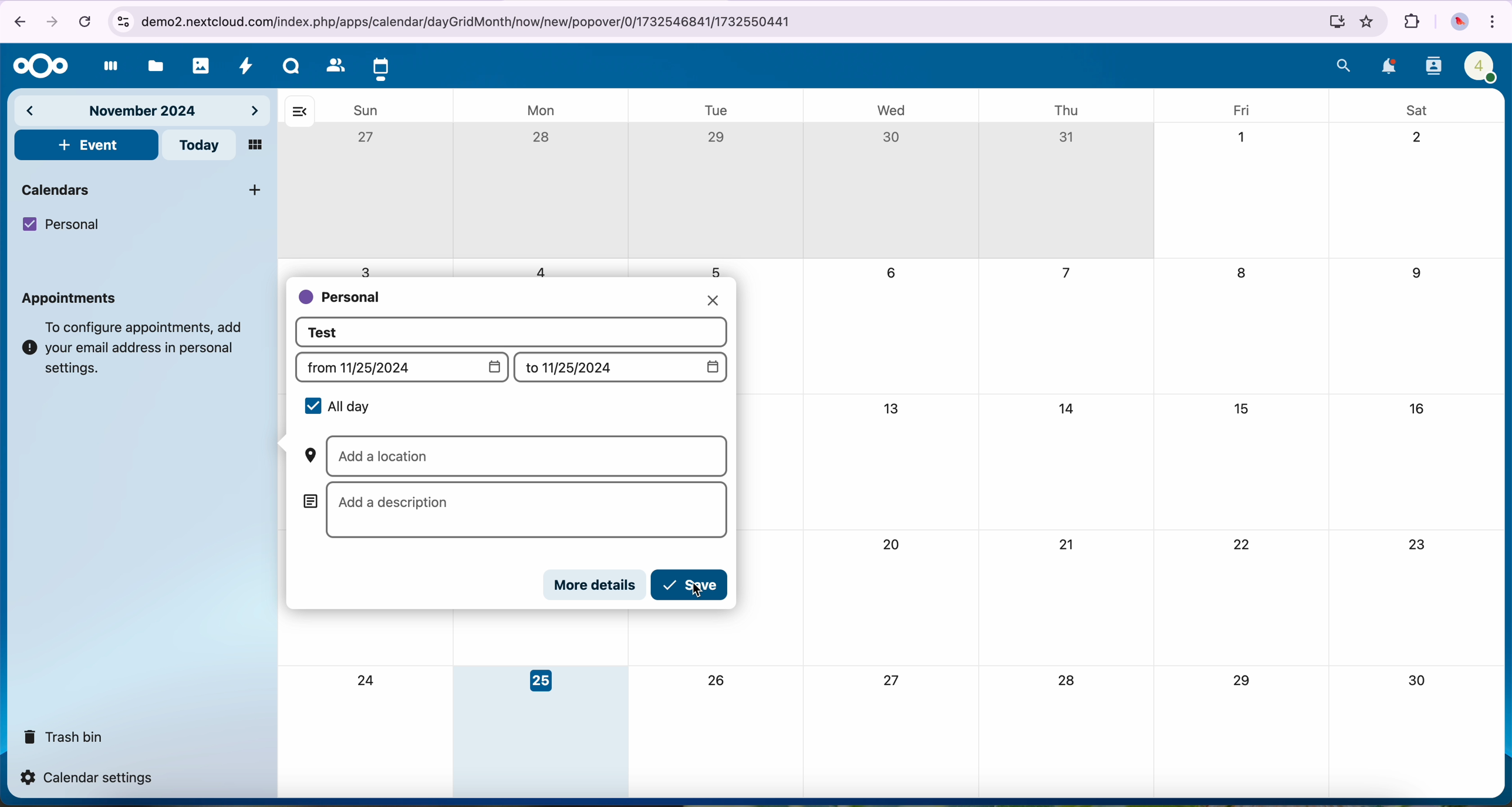  What do you see at coordinates (143, 112) in the screenshot?
I see `november 2024` at bounding box center [143, 112].